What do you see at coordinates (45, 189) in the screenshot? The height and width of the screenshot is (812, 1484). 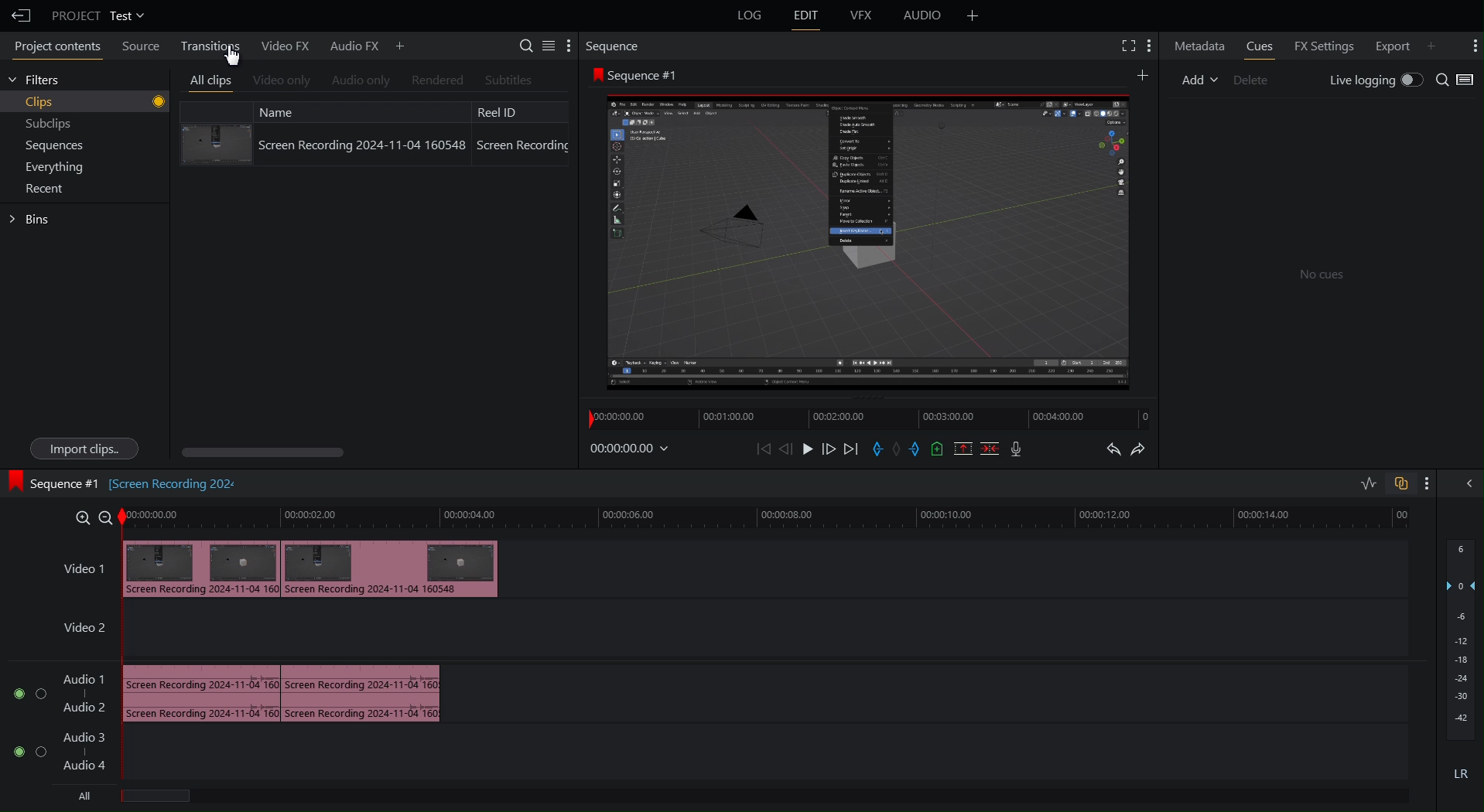 I see `Recent` at bounding box center [45, 189].